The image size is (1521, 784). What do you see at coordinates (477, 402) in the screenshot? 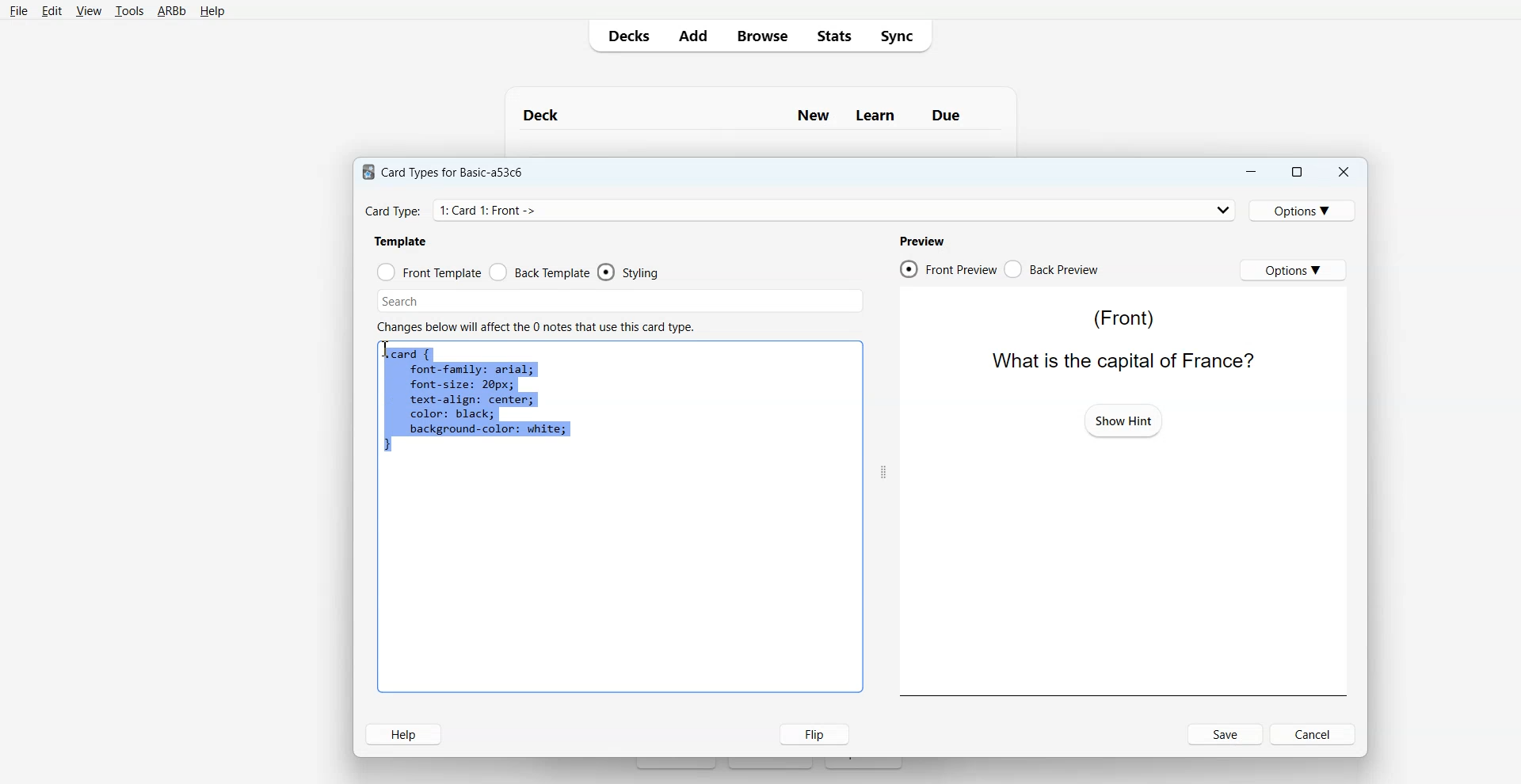
I see `.card {
font-family: arial;
font-size: 20px;
text-align: center;
color: black;

| Jpackground-color: white;

i` at bounding box center [477, 402].